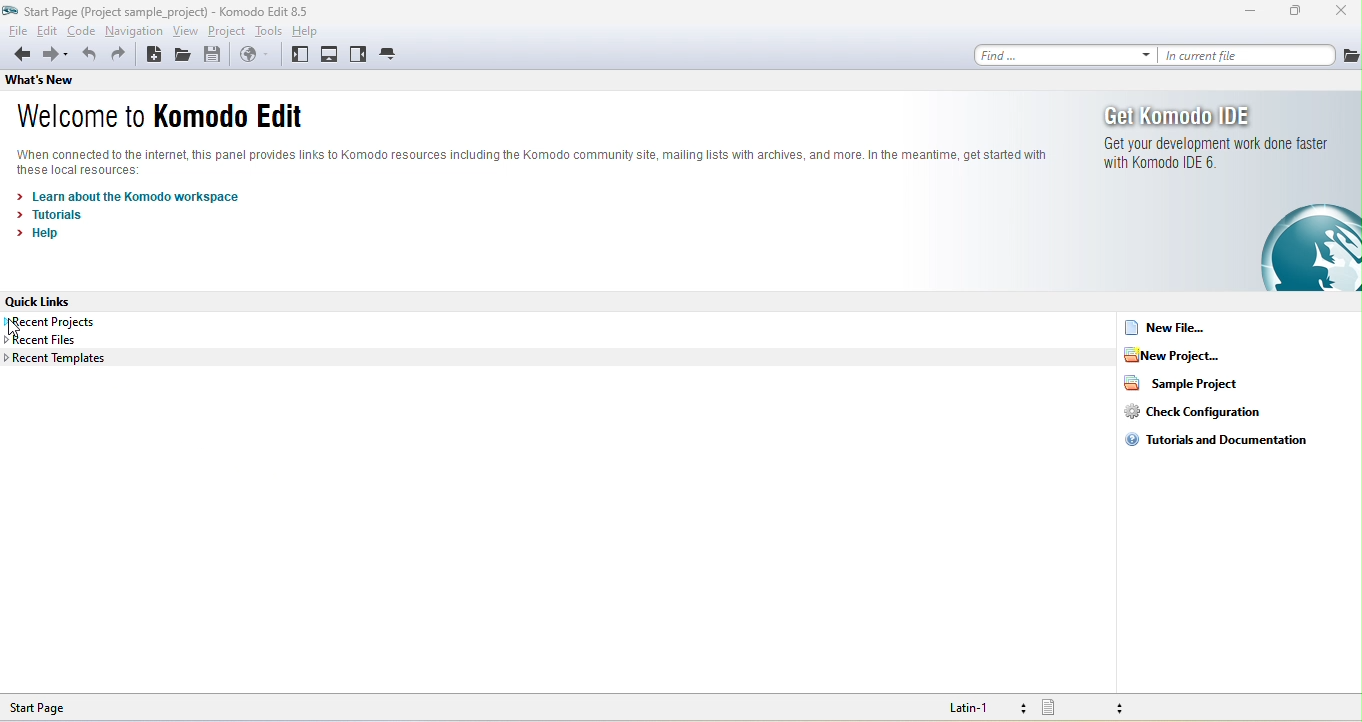  I want to click on tutorials and documentation, so click(1229, 447).